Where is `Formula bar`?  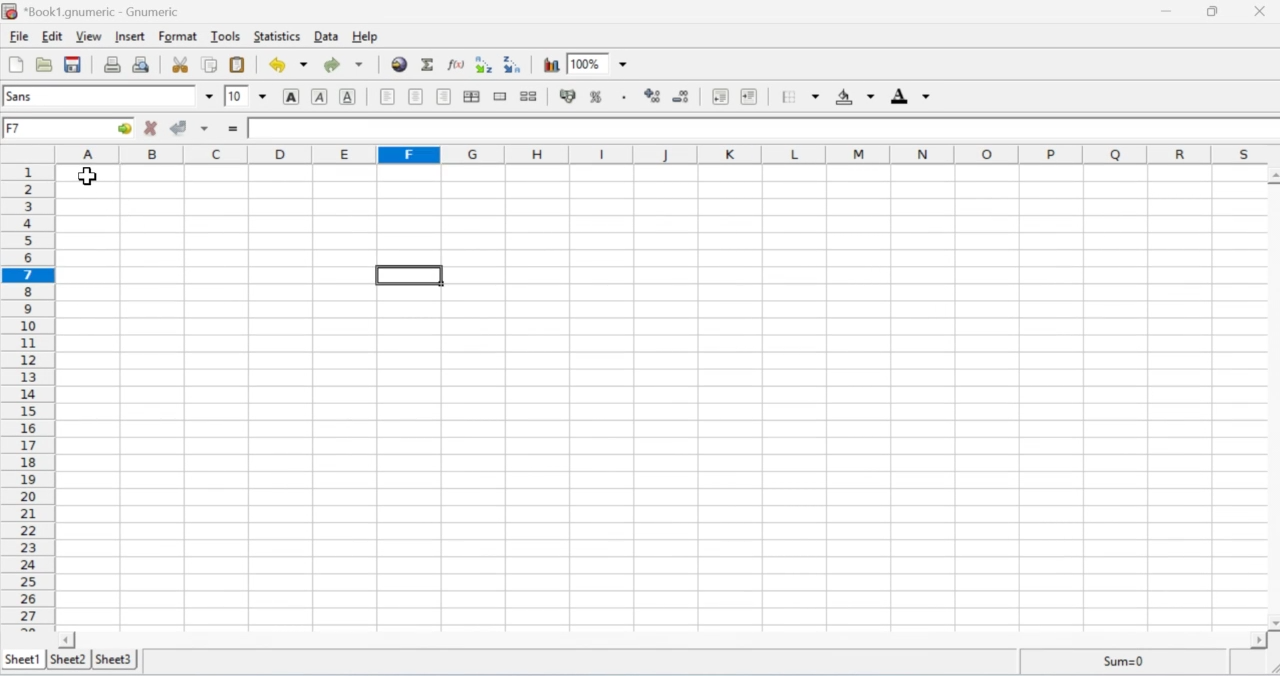 Formula bar is located at coordinates (756, 129).